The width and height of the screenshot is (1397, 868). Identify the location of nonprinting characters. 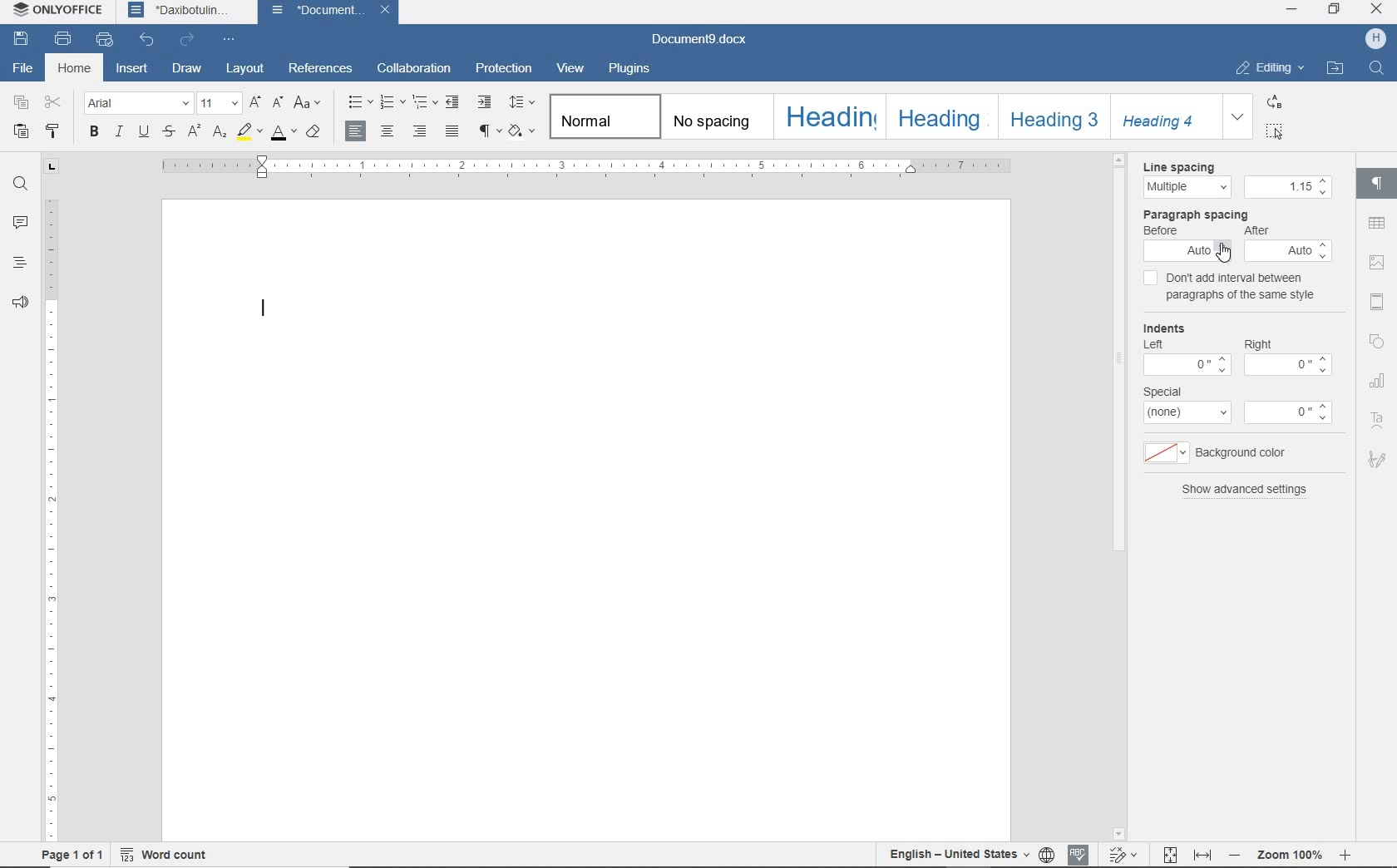
(489, 133).